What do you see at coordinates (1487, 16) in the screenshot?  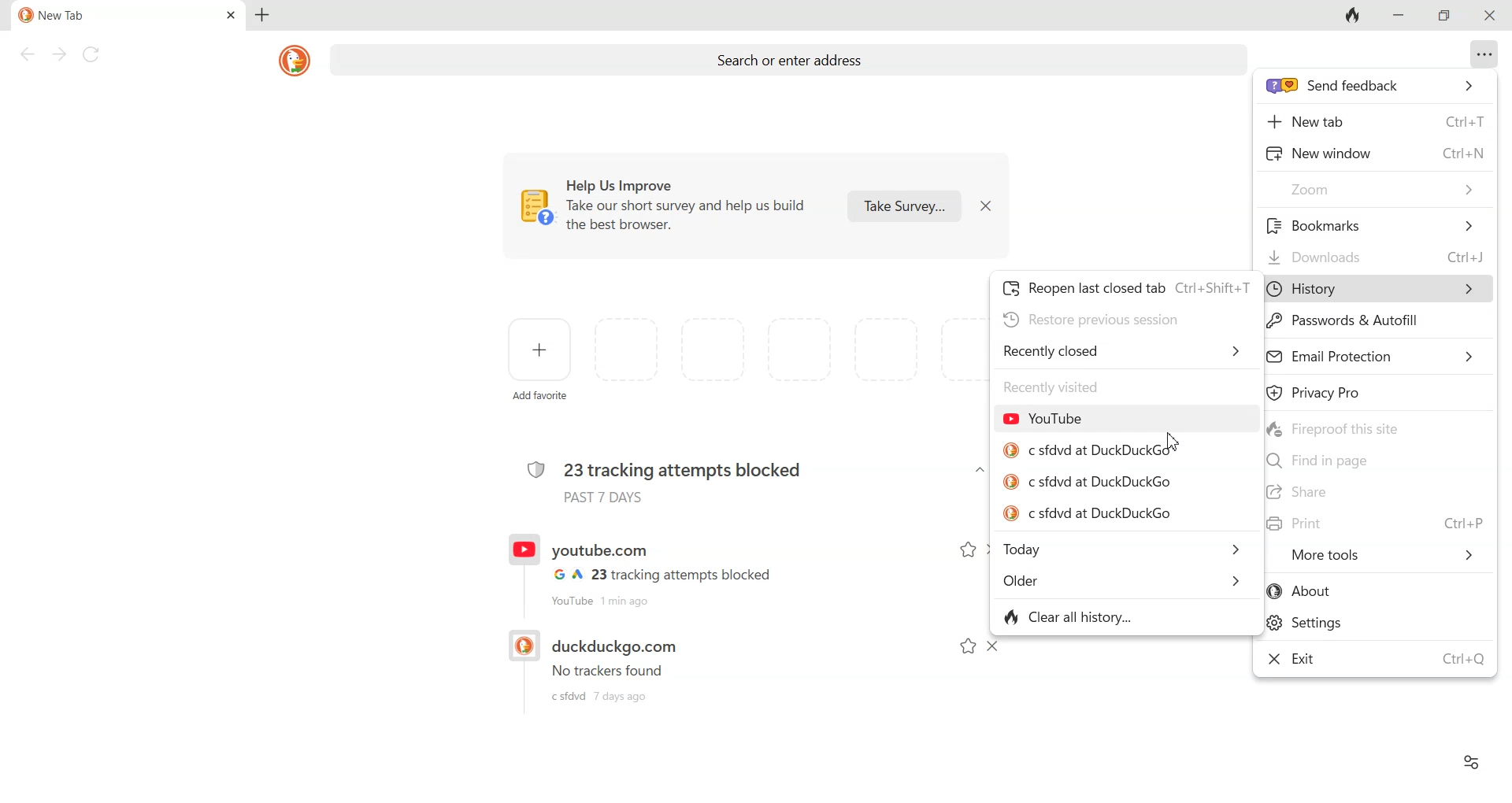 I see `Close` at bounding box center [1487, 16].